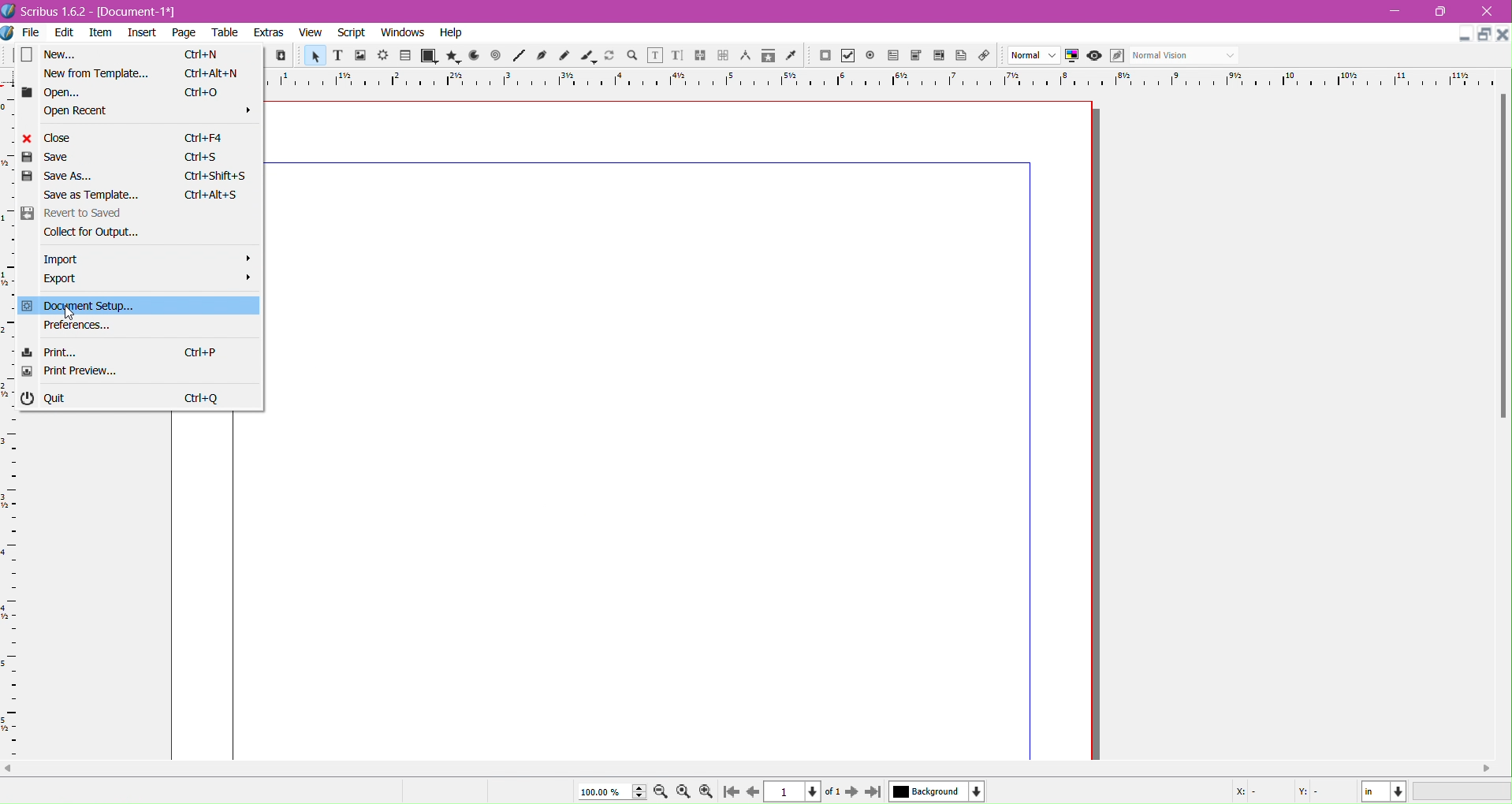 The height and width of the screenshot is (804, 1512). What do you see at coordinates (451, 33) in the screenshot?
I see `help menu` at bounding box center [451, 33].